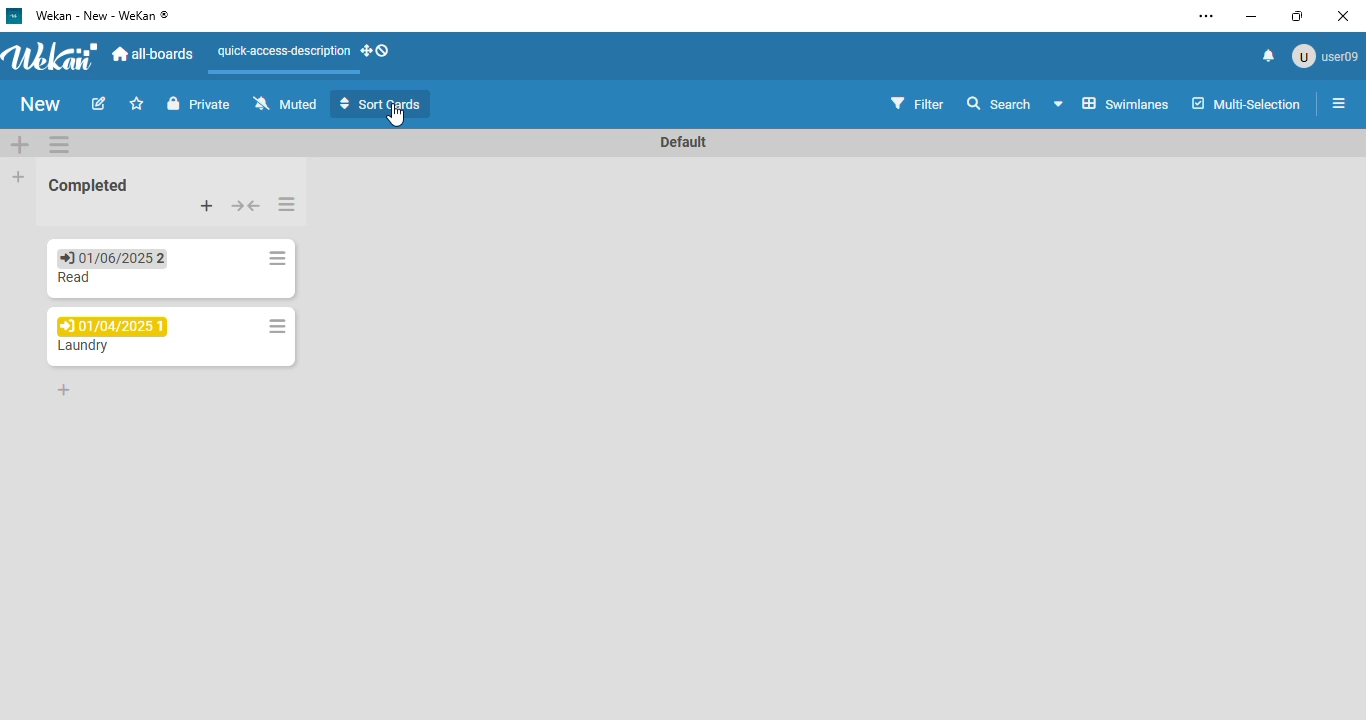 The width and height of the screenshot is (1366, 720). I want to click on private, so click(199, 103).